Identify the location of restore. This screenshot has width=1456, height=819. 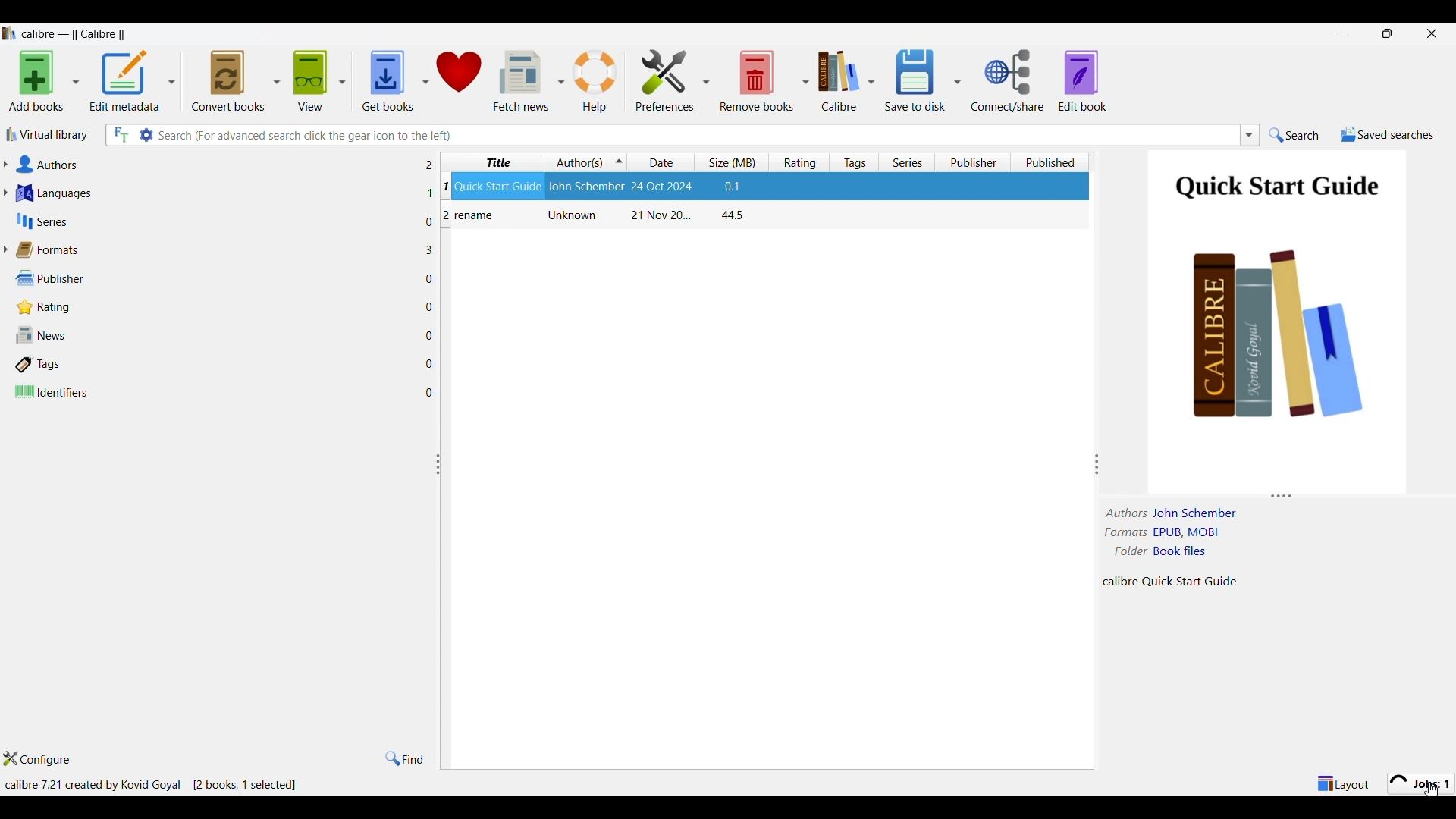
(1388, 33).